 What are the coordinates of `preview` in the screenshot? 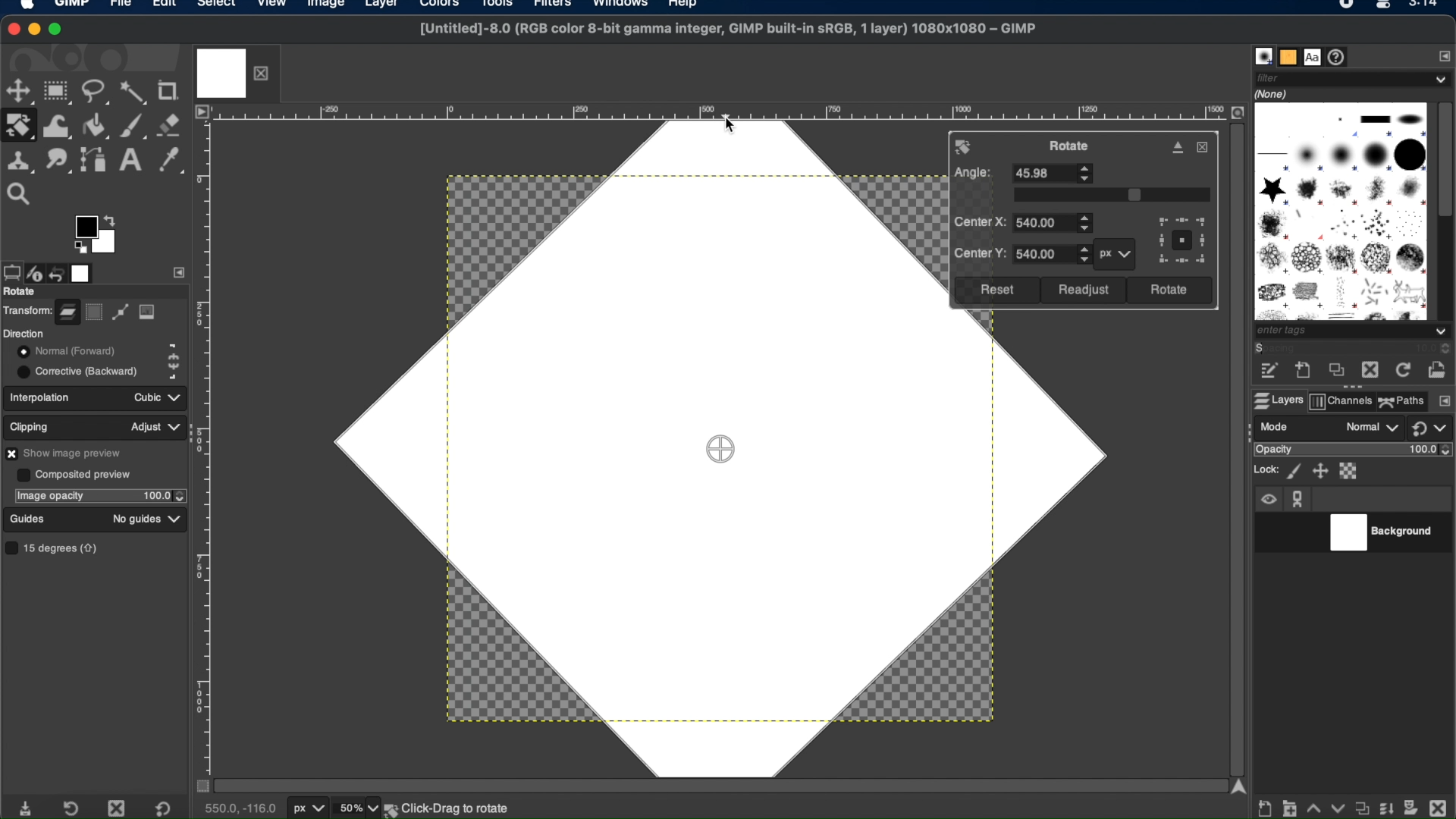 It's located at (1181, 241).